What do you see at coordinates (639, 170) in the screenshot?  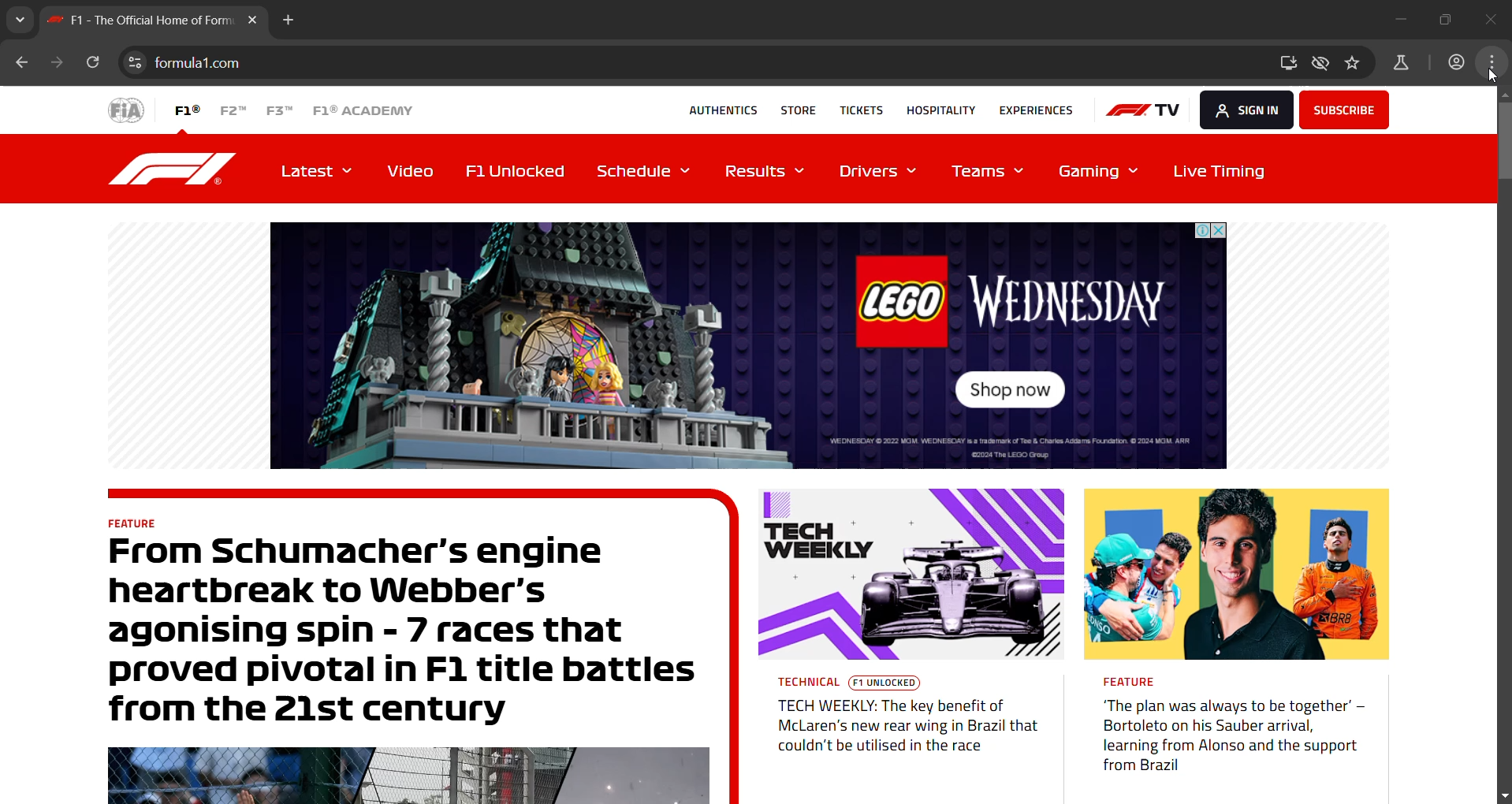 I see `Schedule` at bounding box center [639, 170].